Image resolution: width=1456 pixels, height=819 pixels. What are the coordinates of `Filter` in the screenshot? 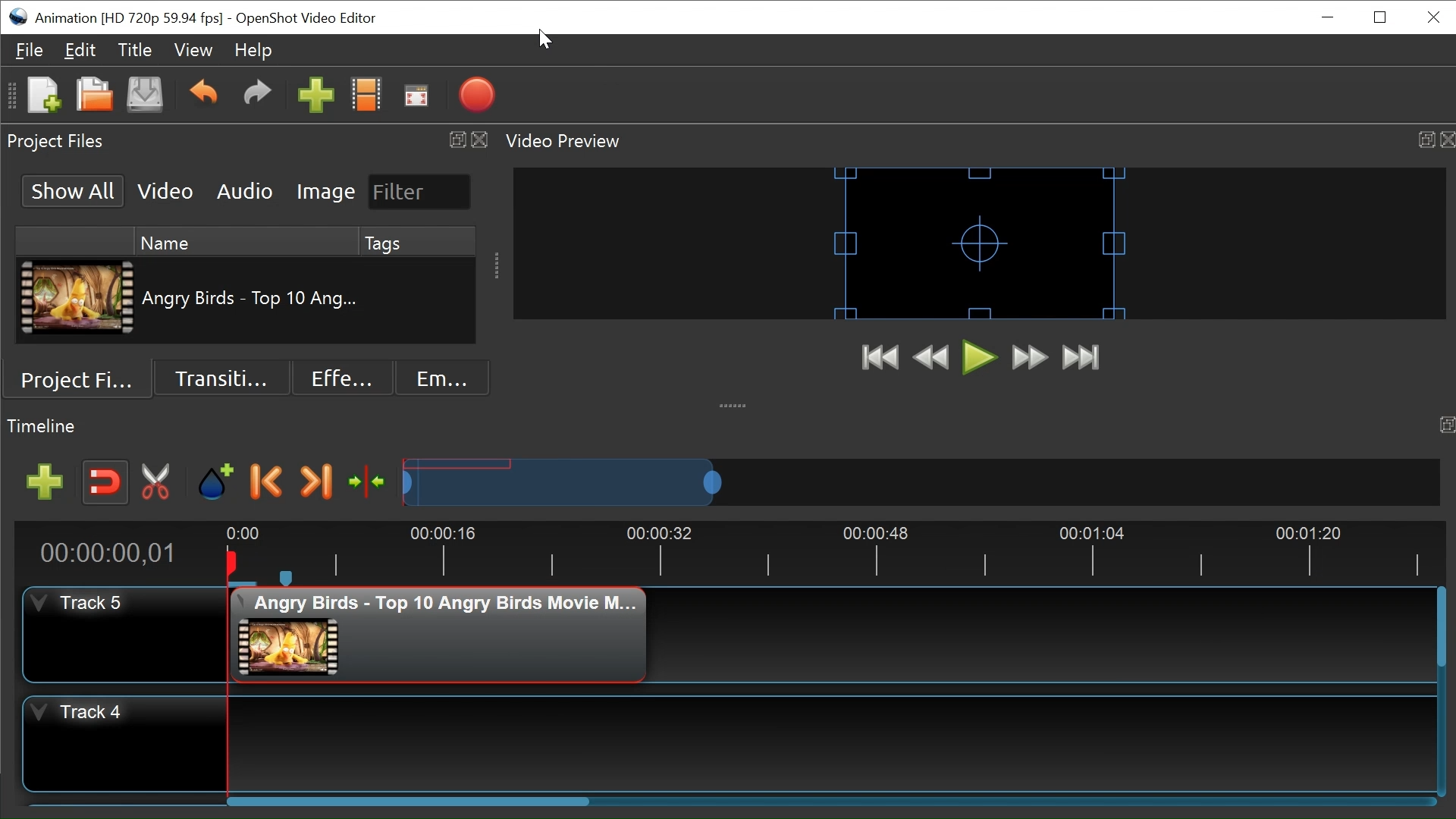 It's located at (419, 192).